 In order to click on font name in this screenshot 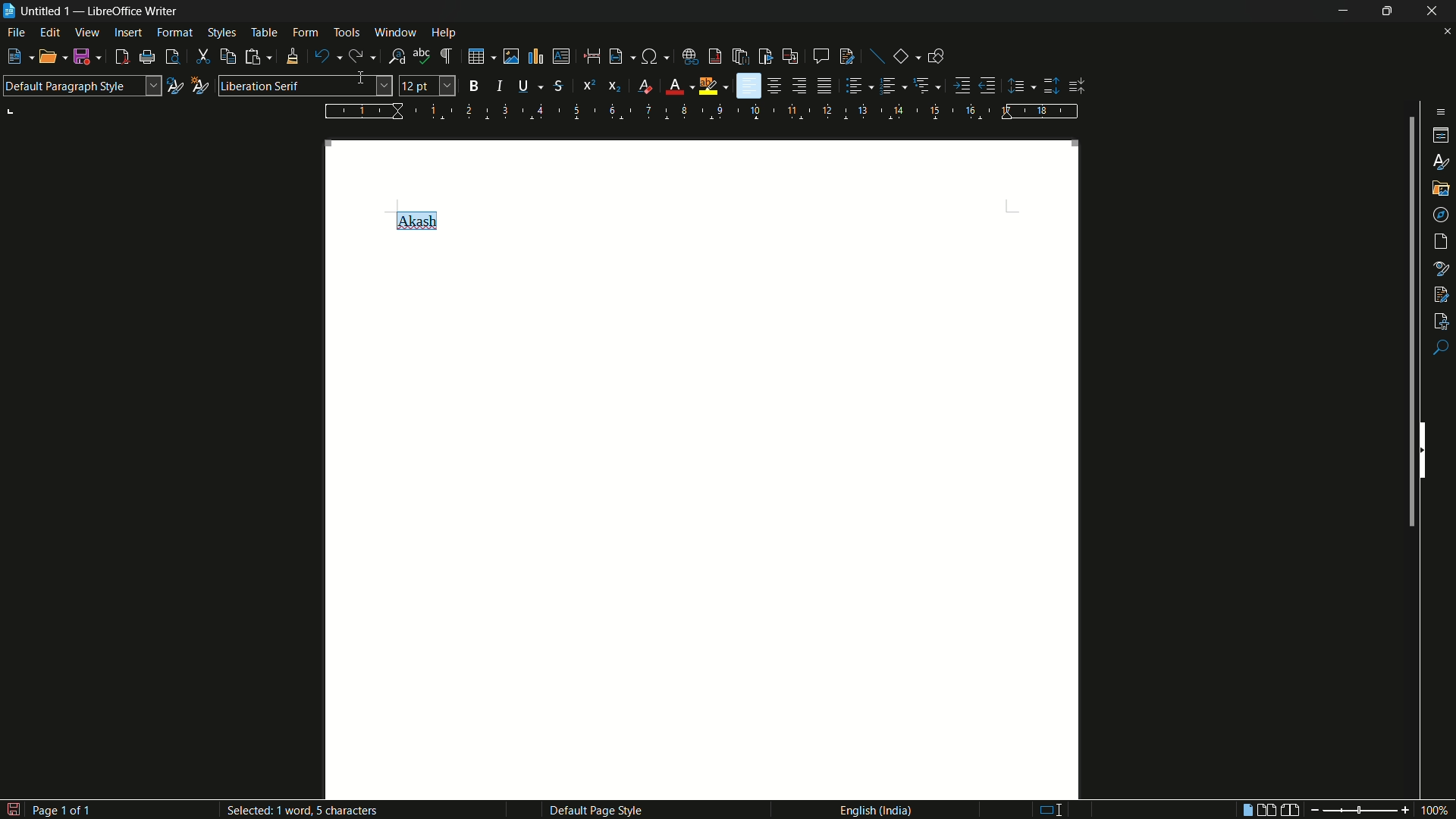, I will do `click(305, 86)`.